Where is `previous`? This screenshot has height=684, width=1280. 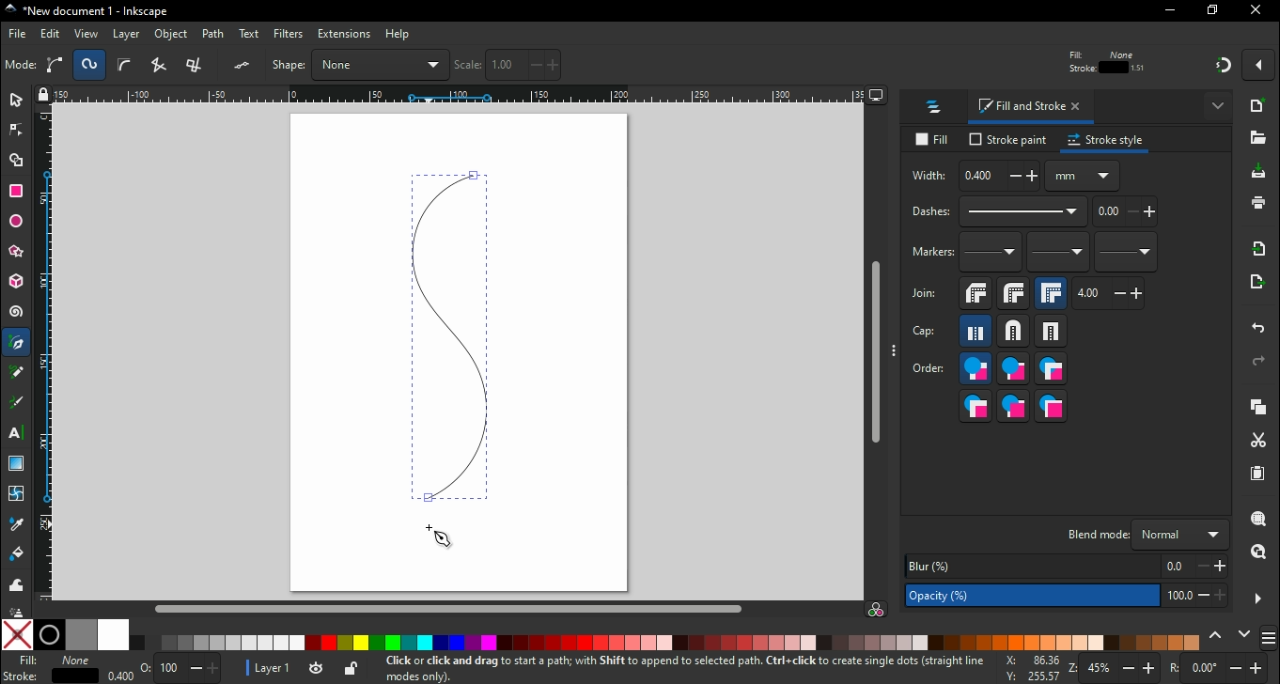
previous is located at coordinates (1217, 635).